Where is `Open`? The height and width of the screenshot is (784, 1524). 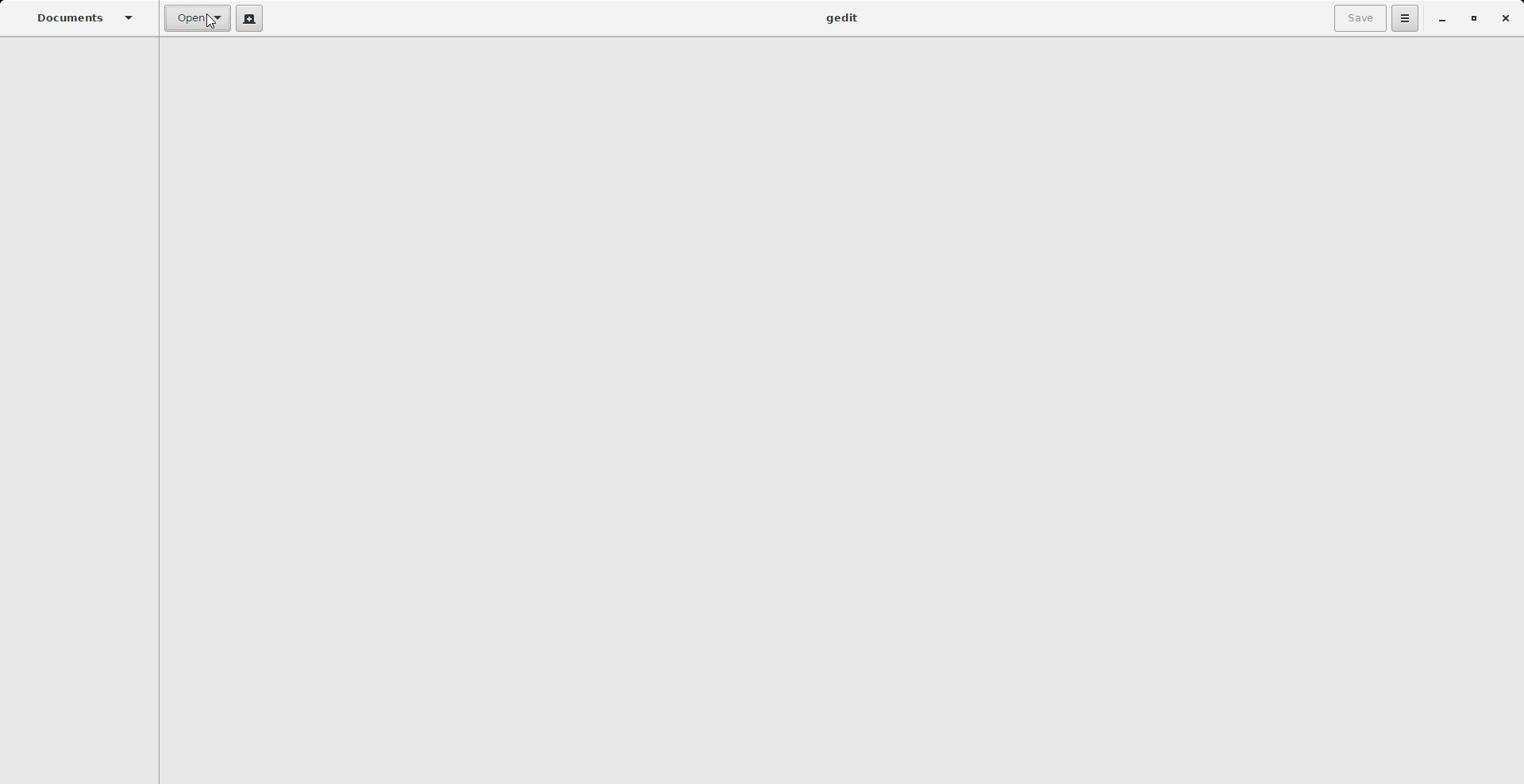 Open is located at coordinates (197, 17).